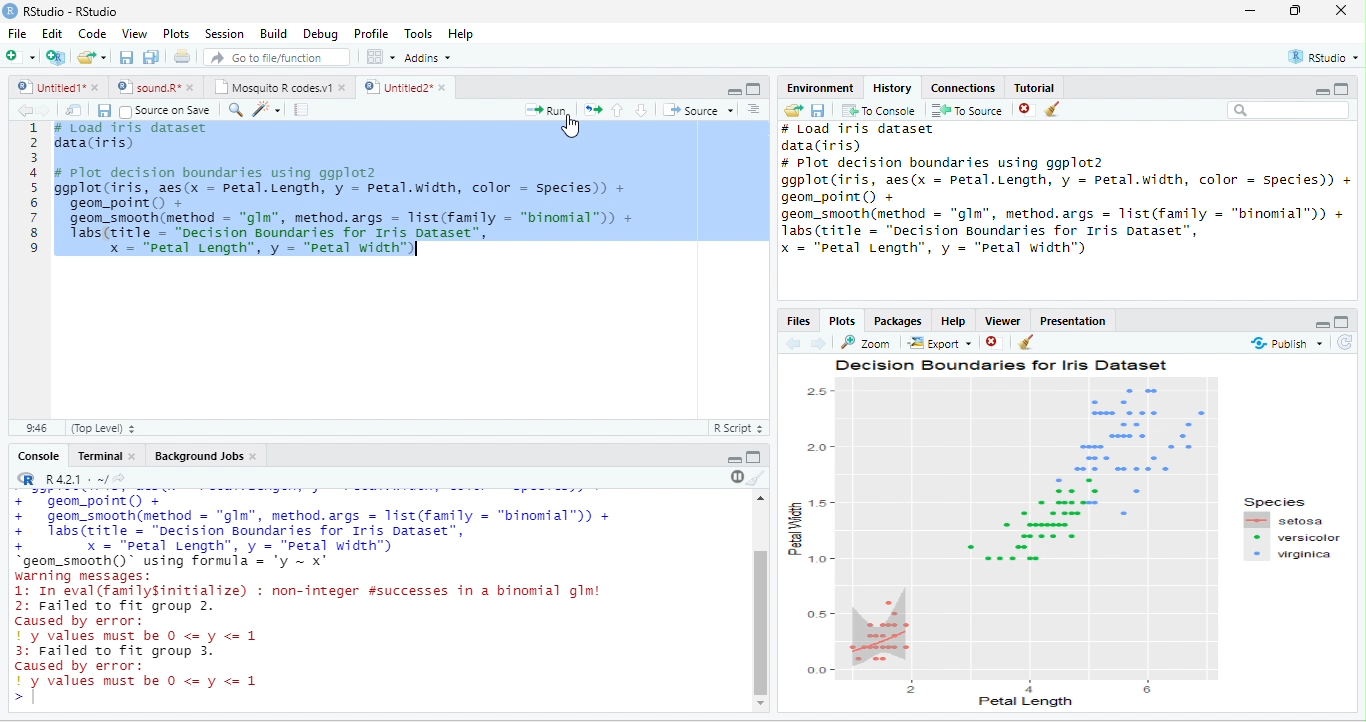 Image resolution: width=1366 pixels, height=722 pixels. Describe the element at coordinates (428, 58) in the screenshot. I see `Addins` at that location.